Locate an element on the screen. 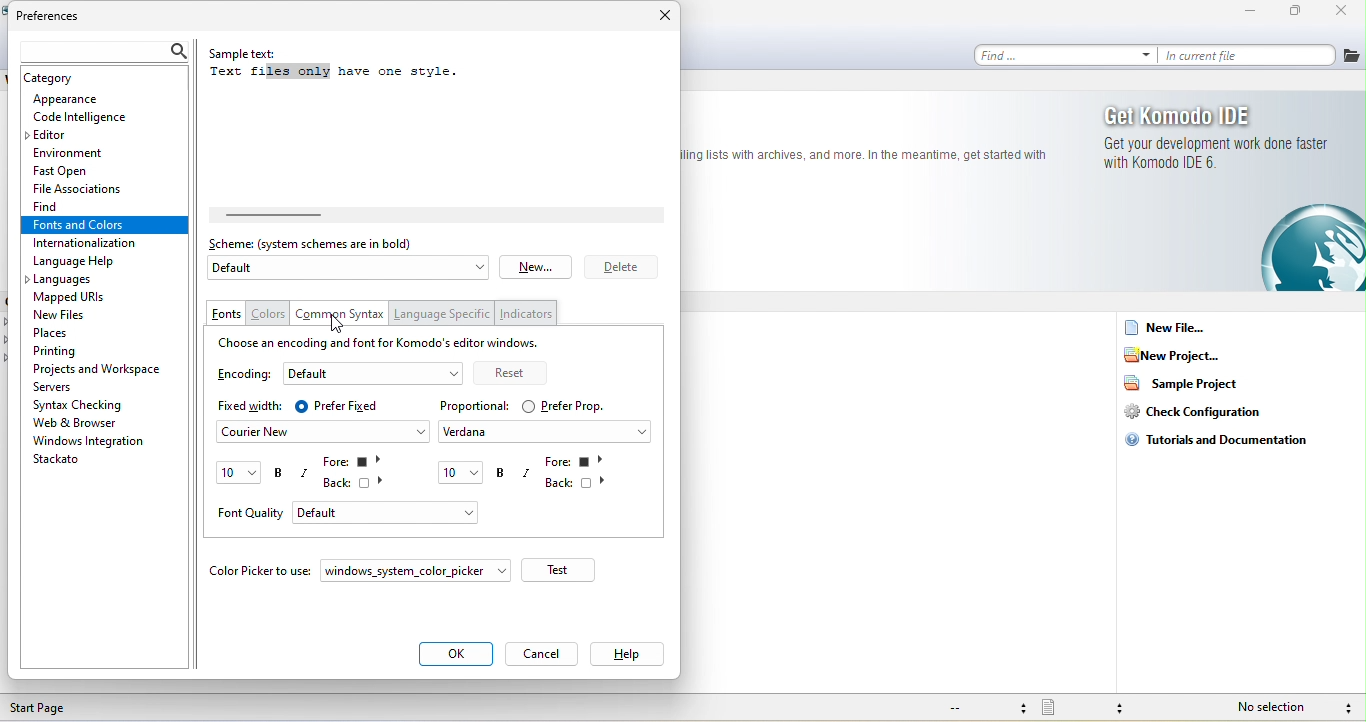  prefer prop is located at coordinates (564, 404).